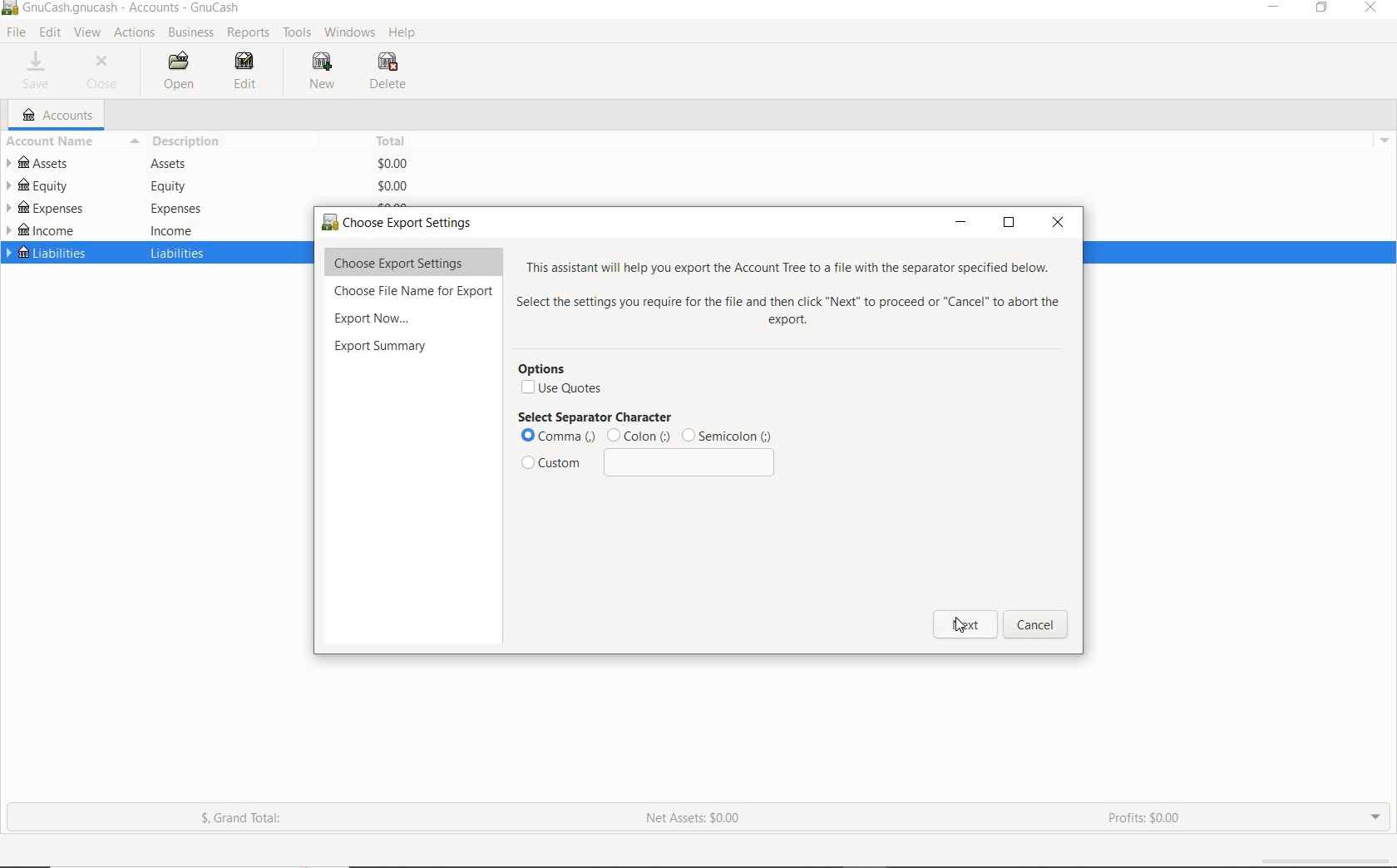 This screenshot has height=868, width=1397. I want to click on drop down, so click(1386, 140).